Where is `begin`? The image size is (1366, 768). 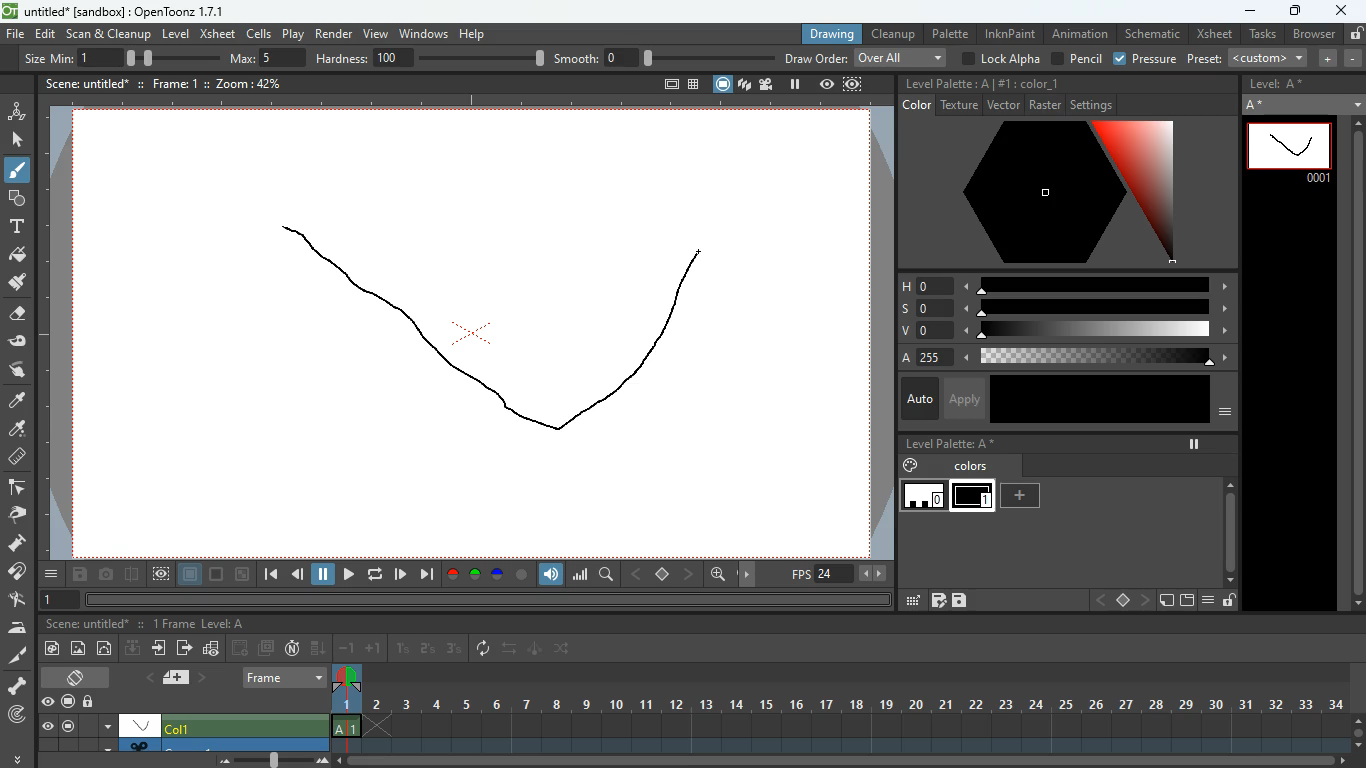 begin is located at coordinates (270, 576).